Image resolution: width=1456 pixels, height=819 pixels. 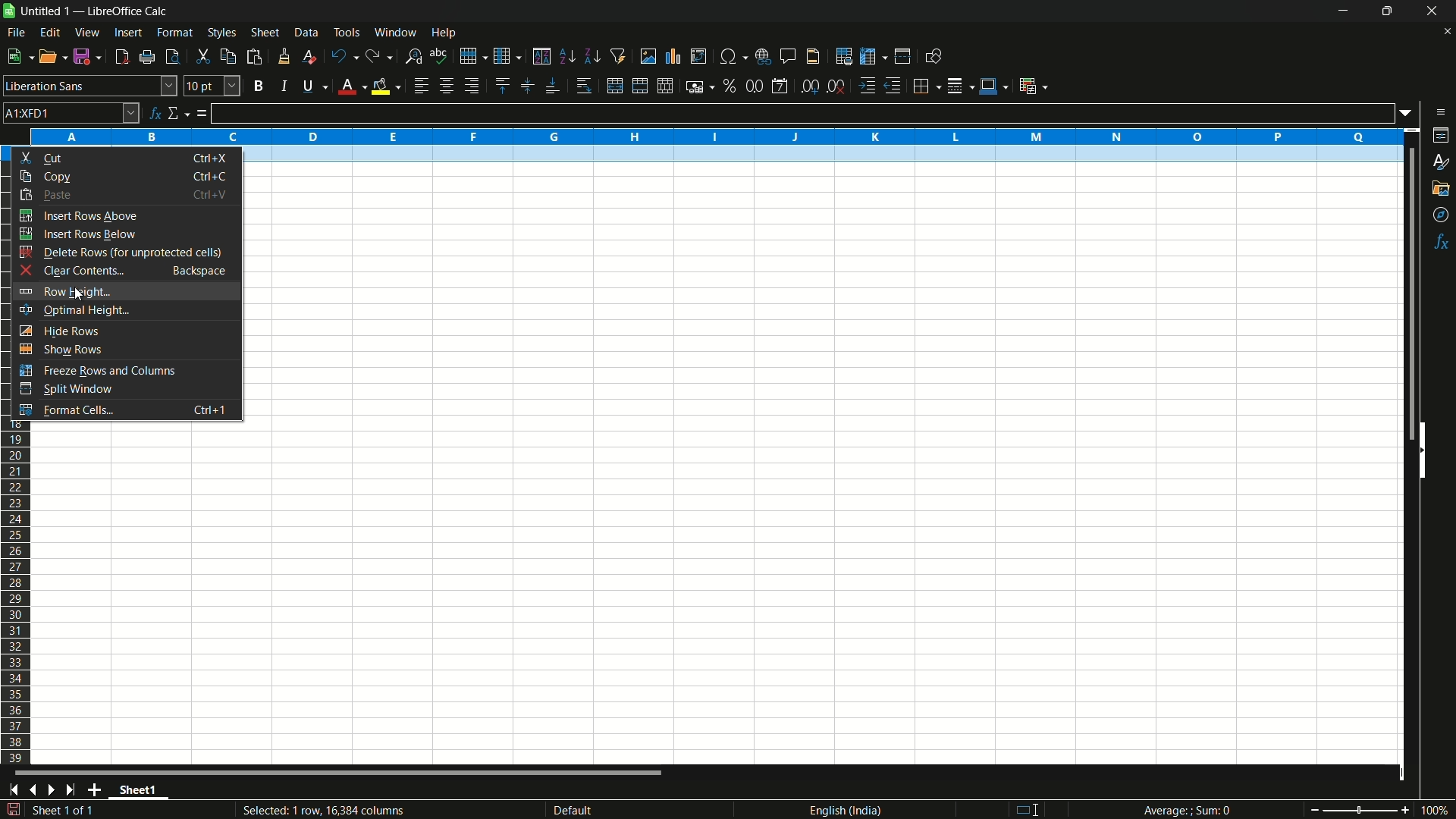 I want to click on print area, so click(x=844, y=56).